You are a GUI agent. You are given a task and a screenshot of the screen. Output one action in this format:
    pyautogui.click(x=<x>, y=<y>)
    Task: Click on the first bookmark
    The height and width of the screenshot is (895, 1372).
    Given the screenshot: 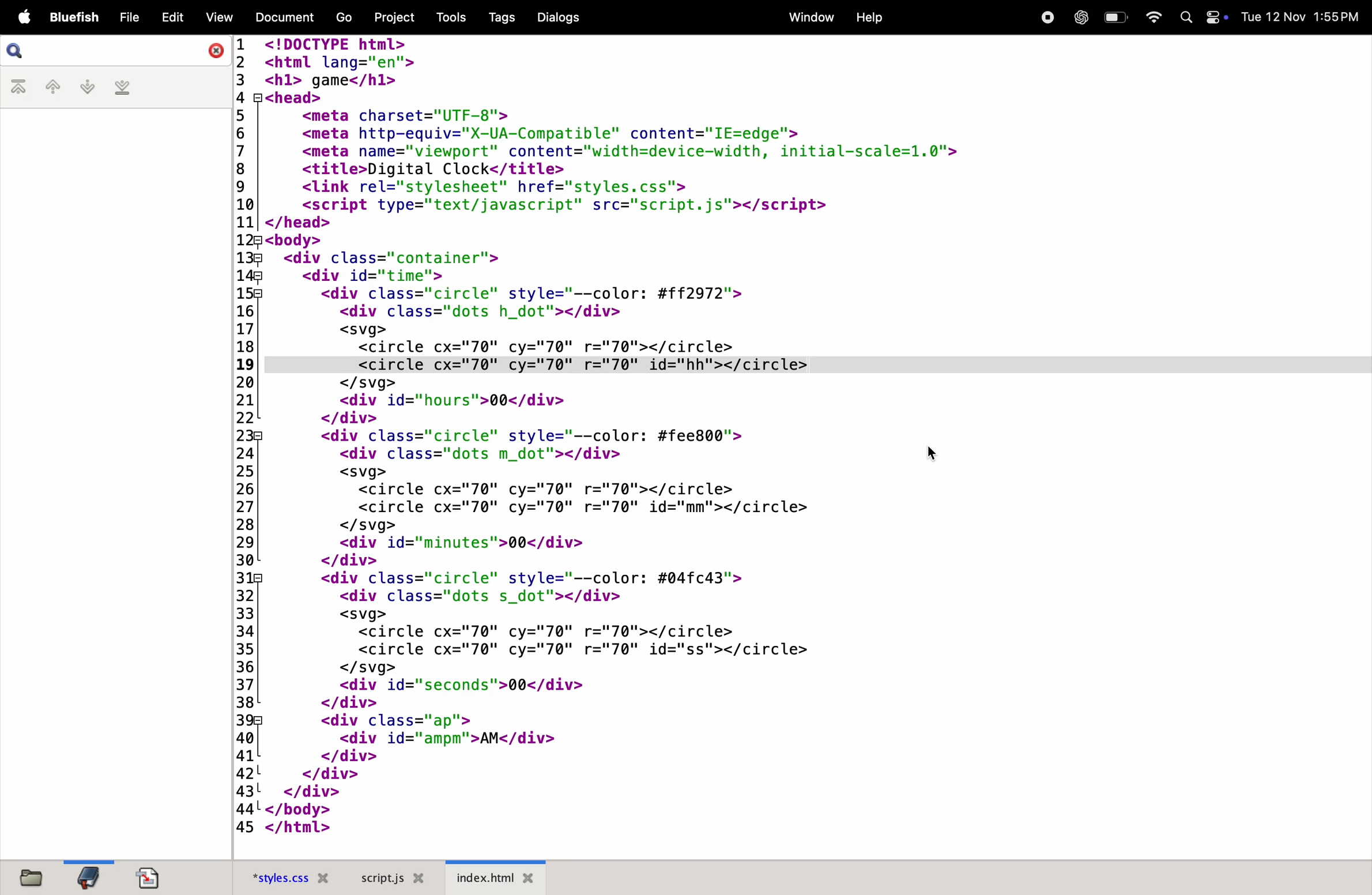 What is the action you would take?
    pyautogui.click(x=18, y=88)
    